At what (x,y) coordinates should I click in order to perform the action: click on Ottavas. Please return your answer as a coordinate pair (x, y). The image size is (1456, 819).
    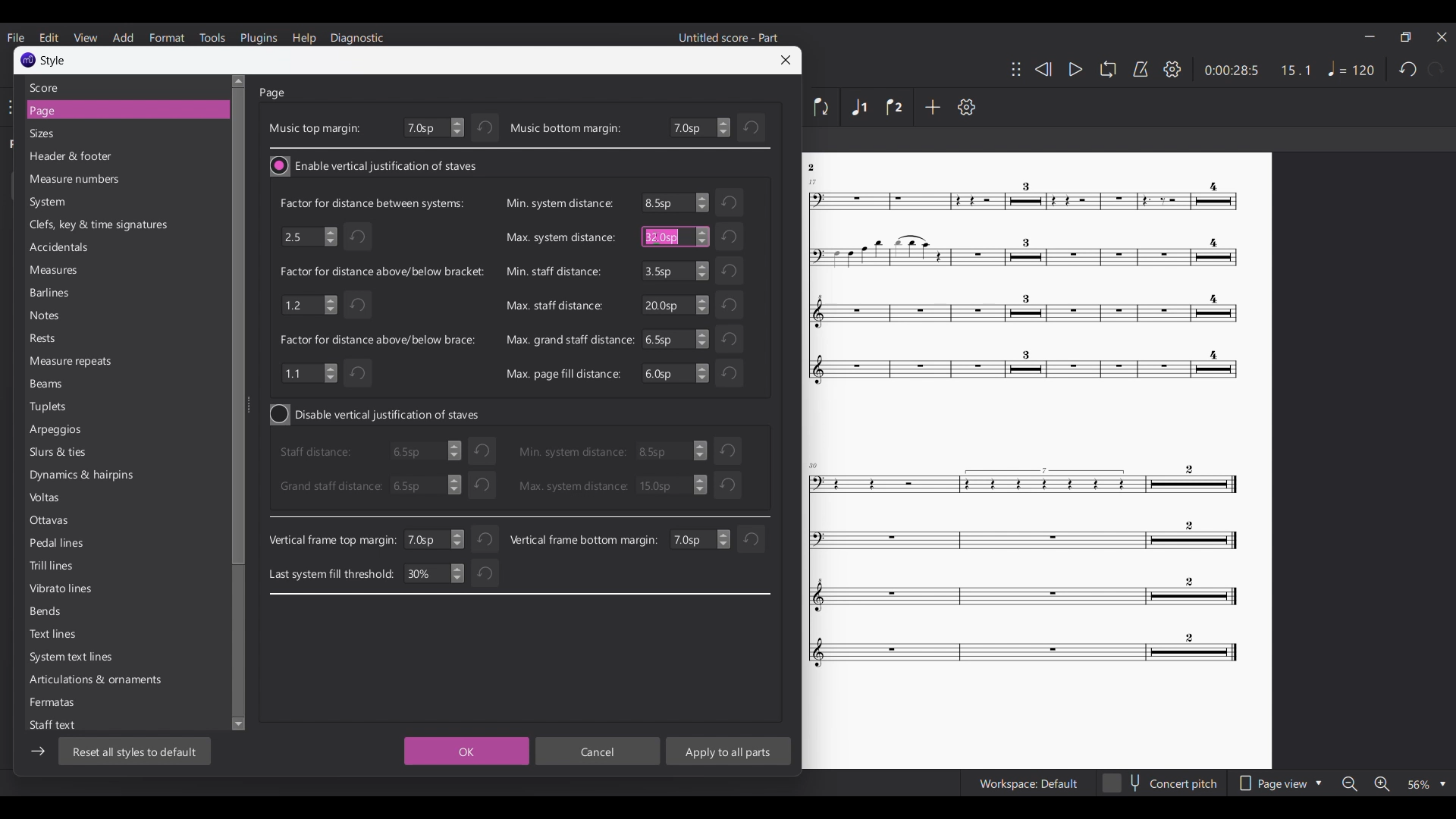
    Looking at the image, I should click on (82, 522).